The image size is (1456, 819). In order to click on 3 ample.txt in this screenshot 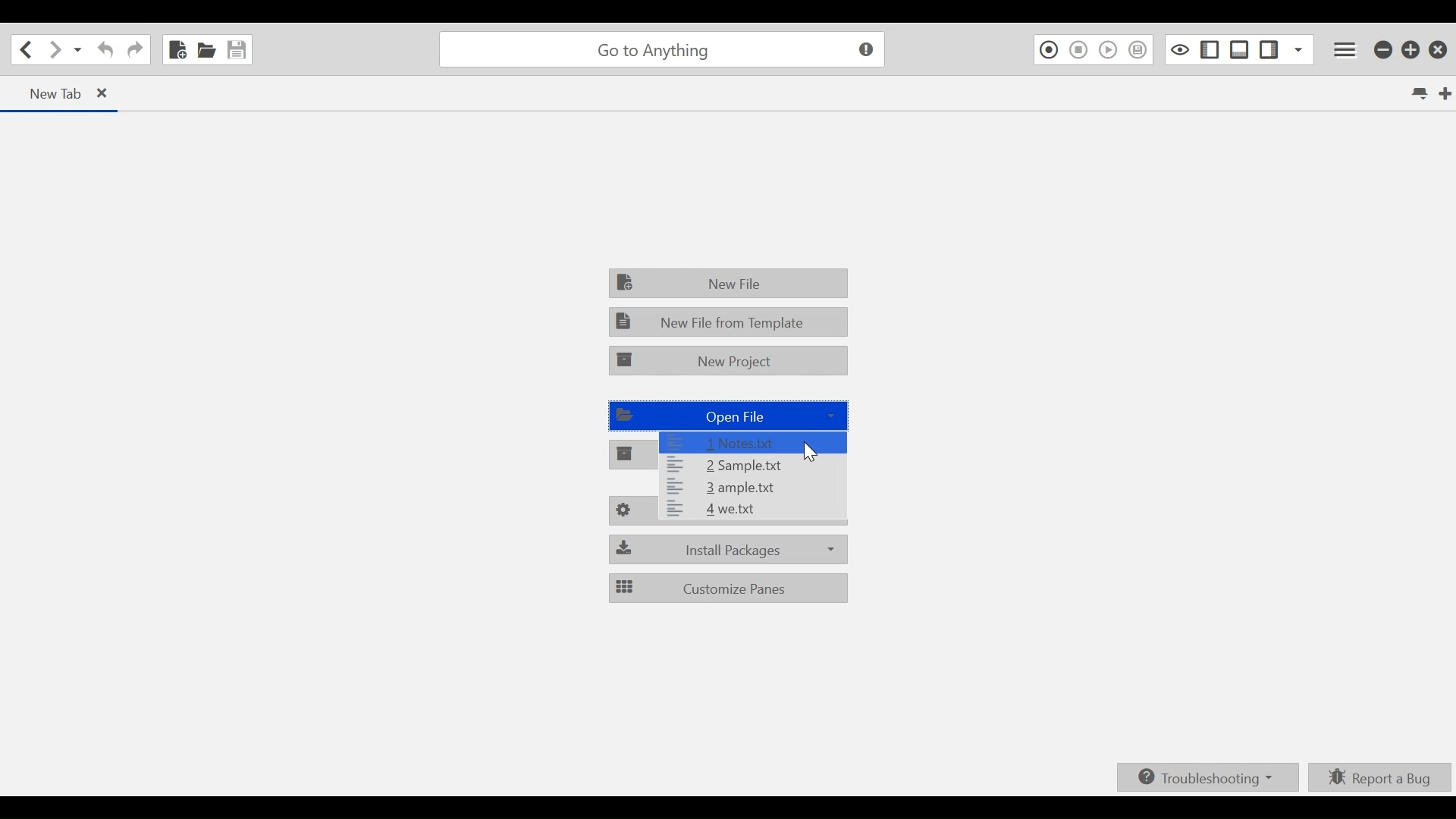, I will do `click(750, 488)`.